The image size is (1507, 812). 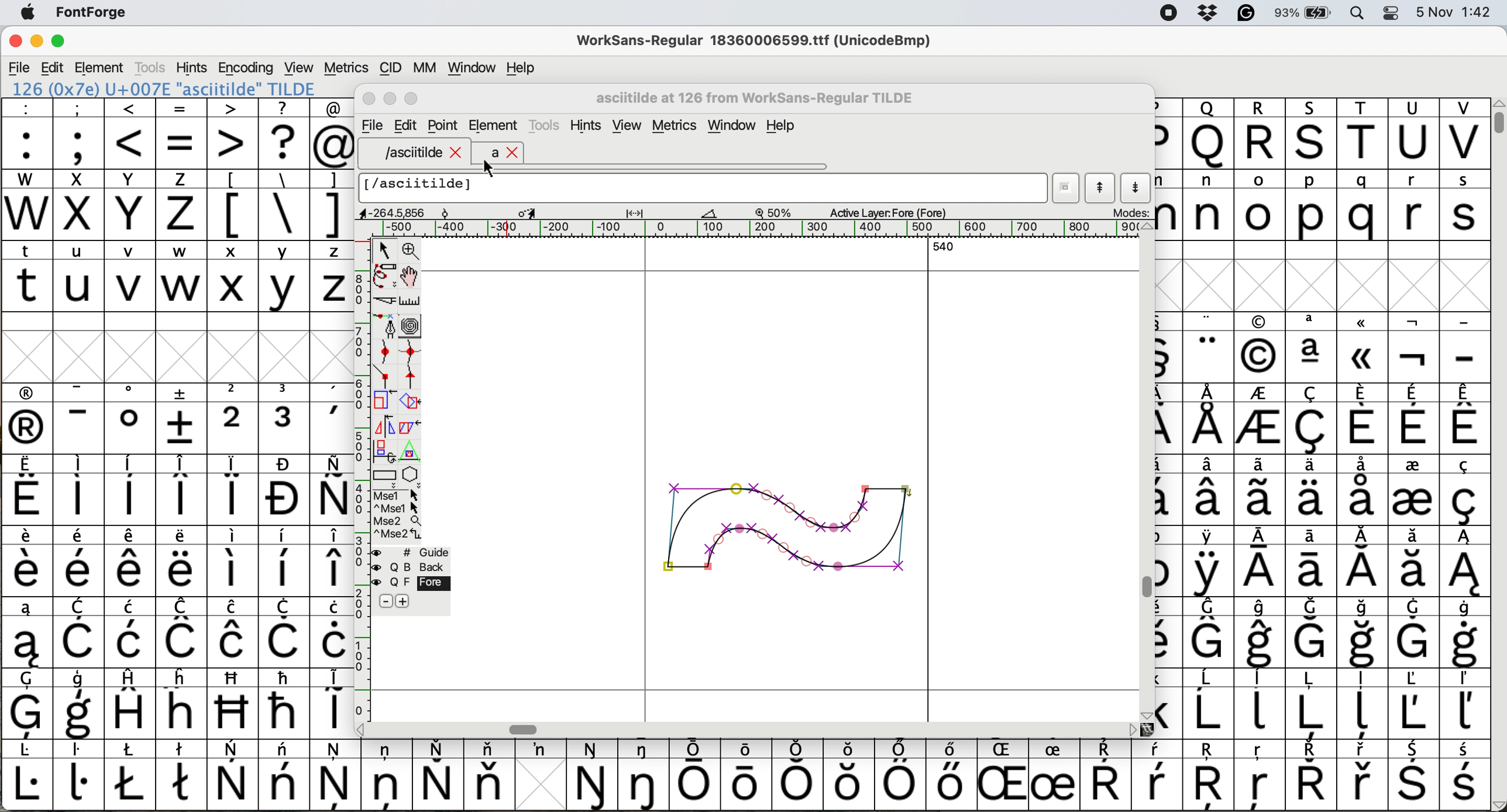 What do you see at coordinates (1497, 804) in the screenshot?
I see `scroll button` at bounding box center [1497, 804].